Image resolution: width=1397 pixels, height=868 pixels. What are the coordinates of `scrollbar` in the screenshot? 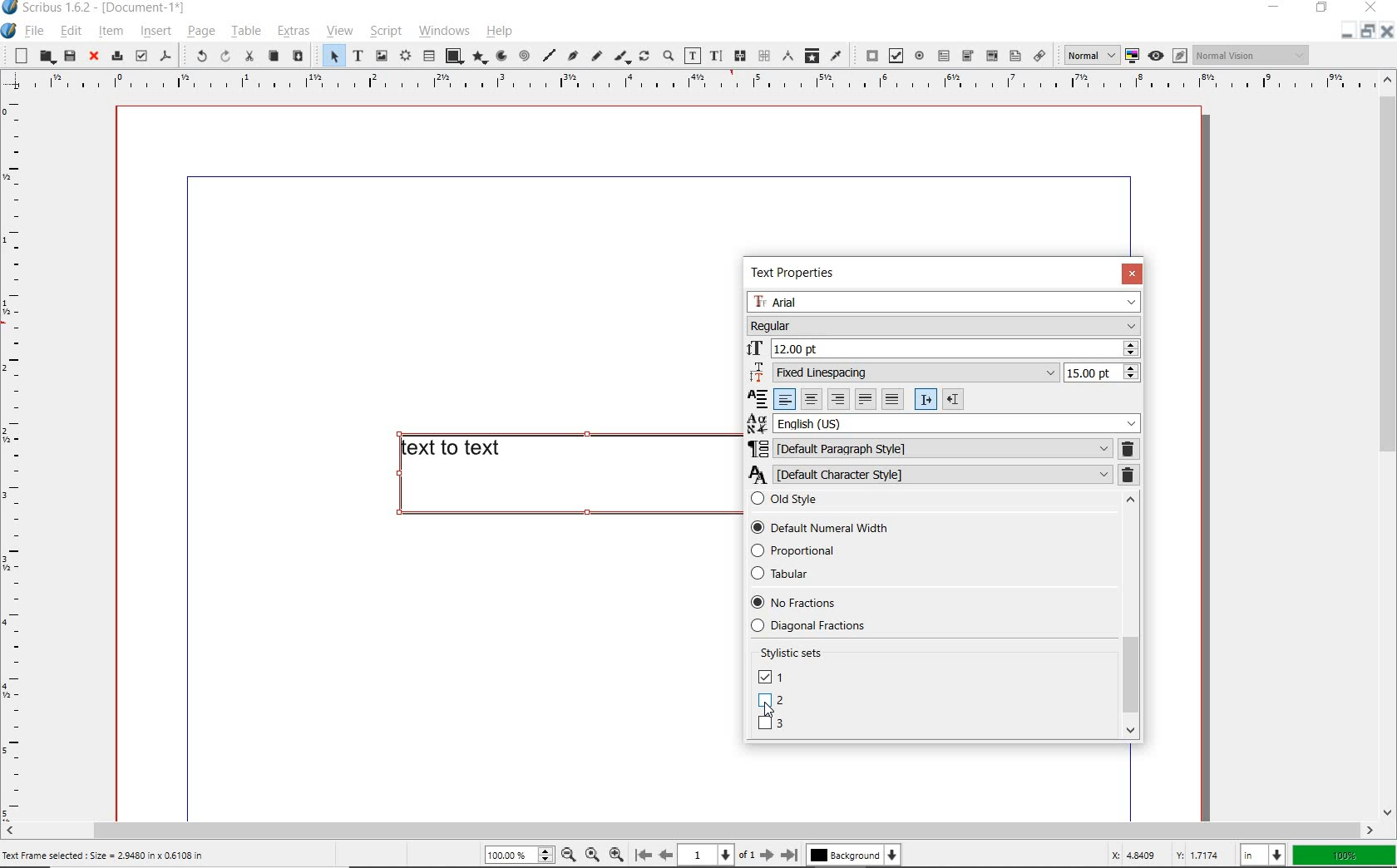 It's located at (689, 830).